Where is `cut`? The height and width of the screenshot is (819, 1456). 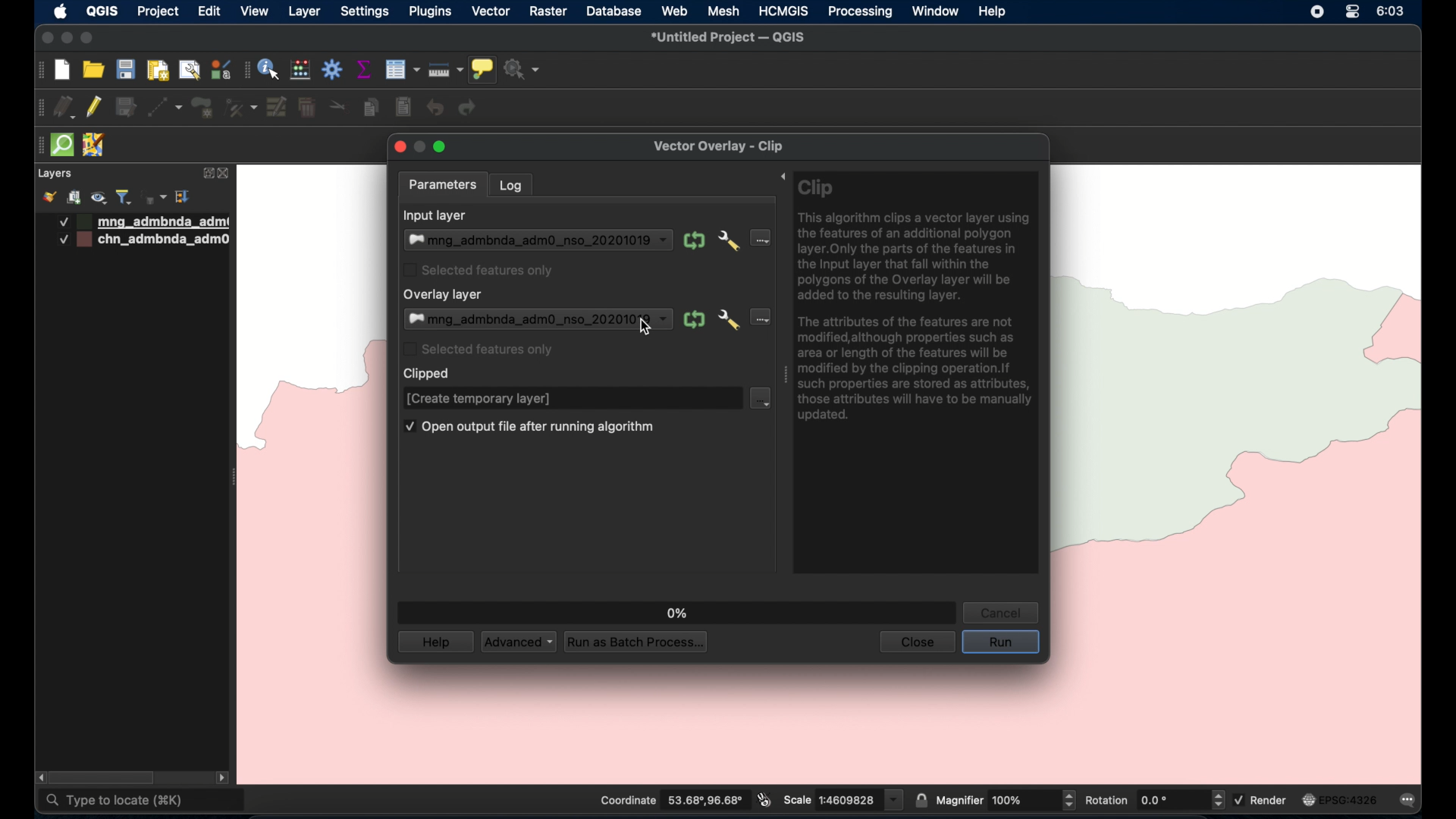 cut is located at coordinates (338, 105).